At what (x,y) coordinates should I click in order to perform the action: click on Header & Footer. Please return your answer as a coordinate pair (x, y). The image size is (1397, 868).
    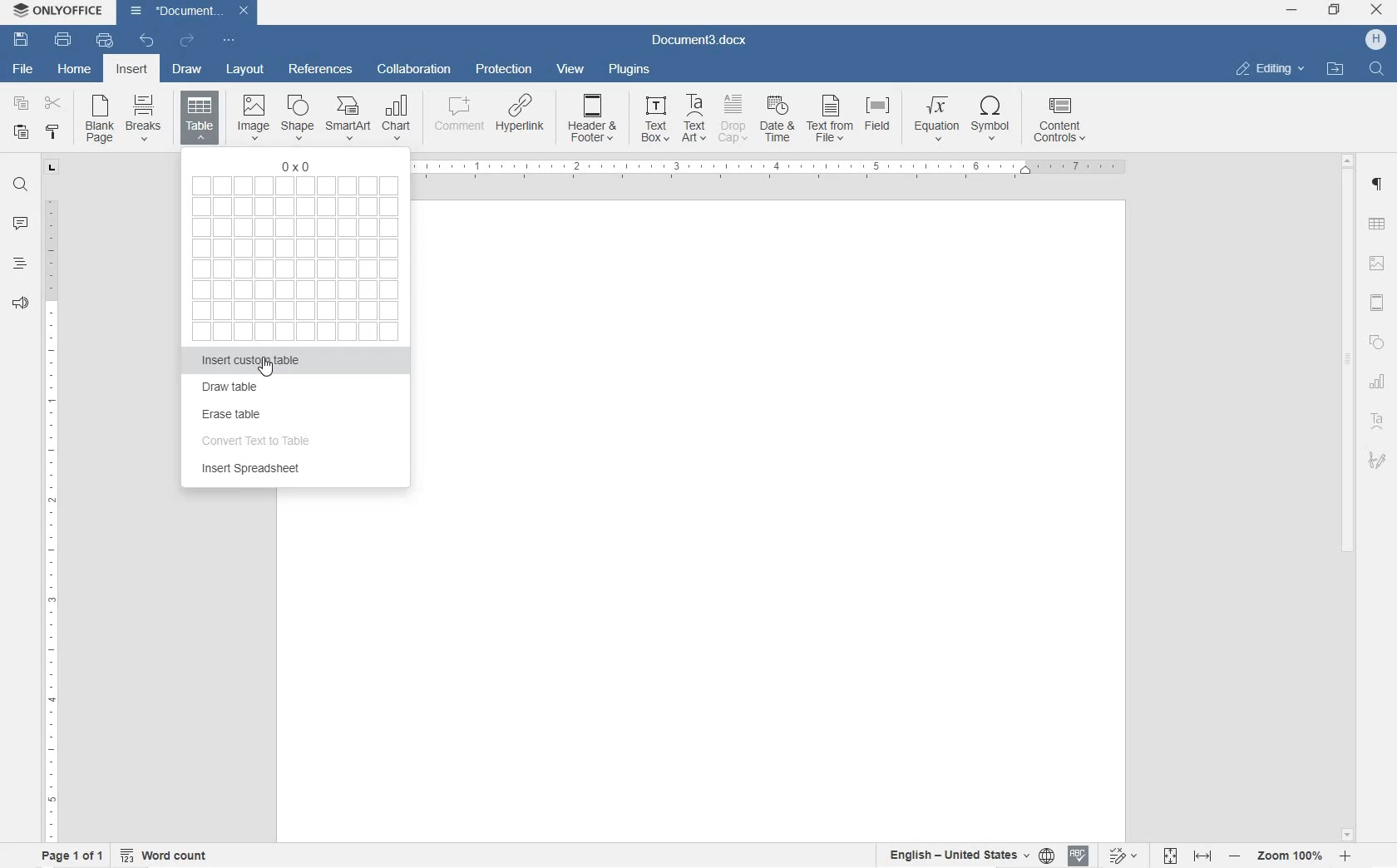
    Looking at the image, I should click on (594, 121).